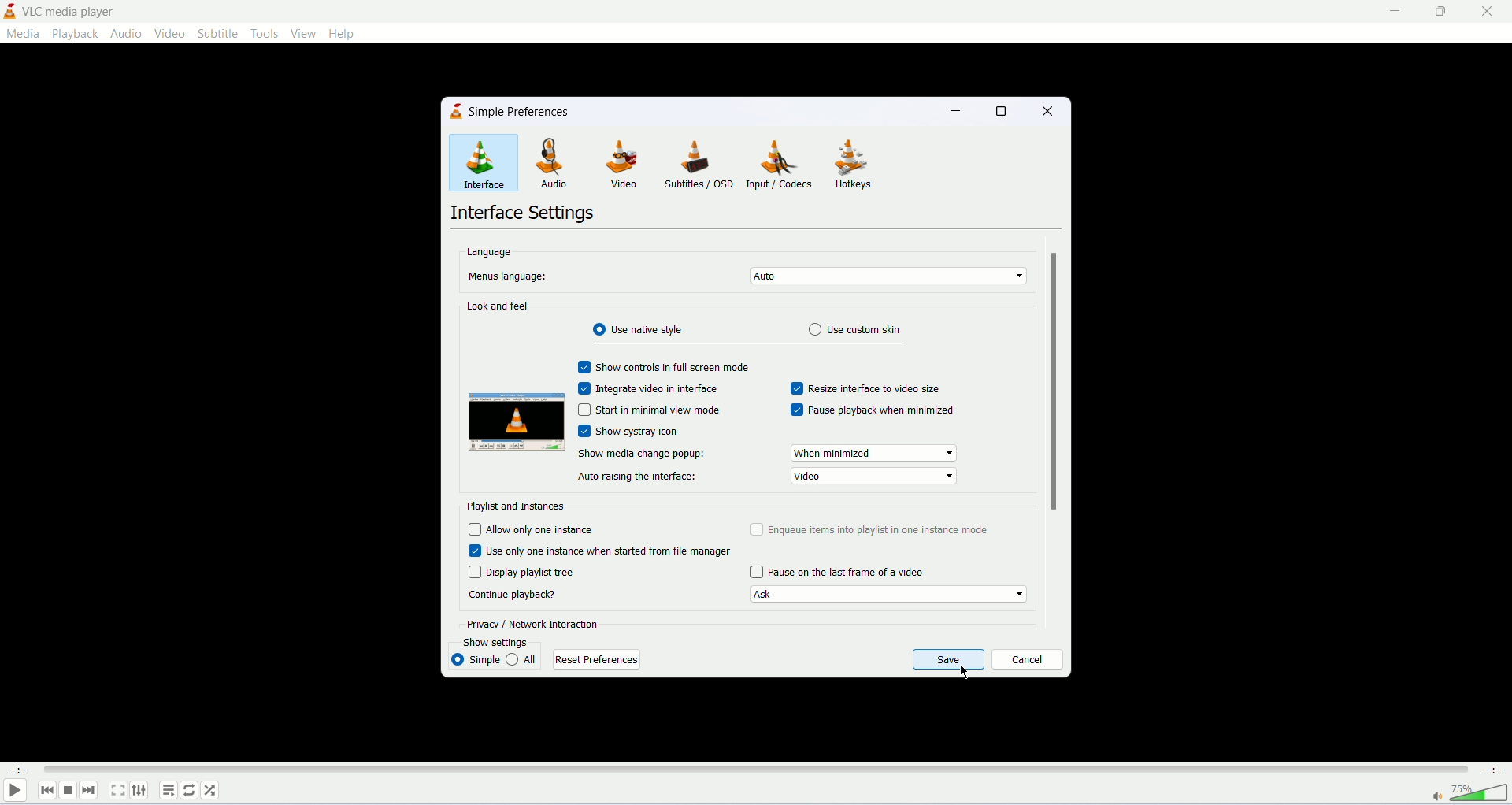 Image resolution: width=1512 pixels, height=805 pixels. What do you see at coordinates (495, 307) in the screenshot?
I see `look and feel` at bounding box center [495, 307].